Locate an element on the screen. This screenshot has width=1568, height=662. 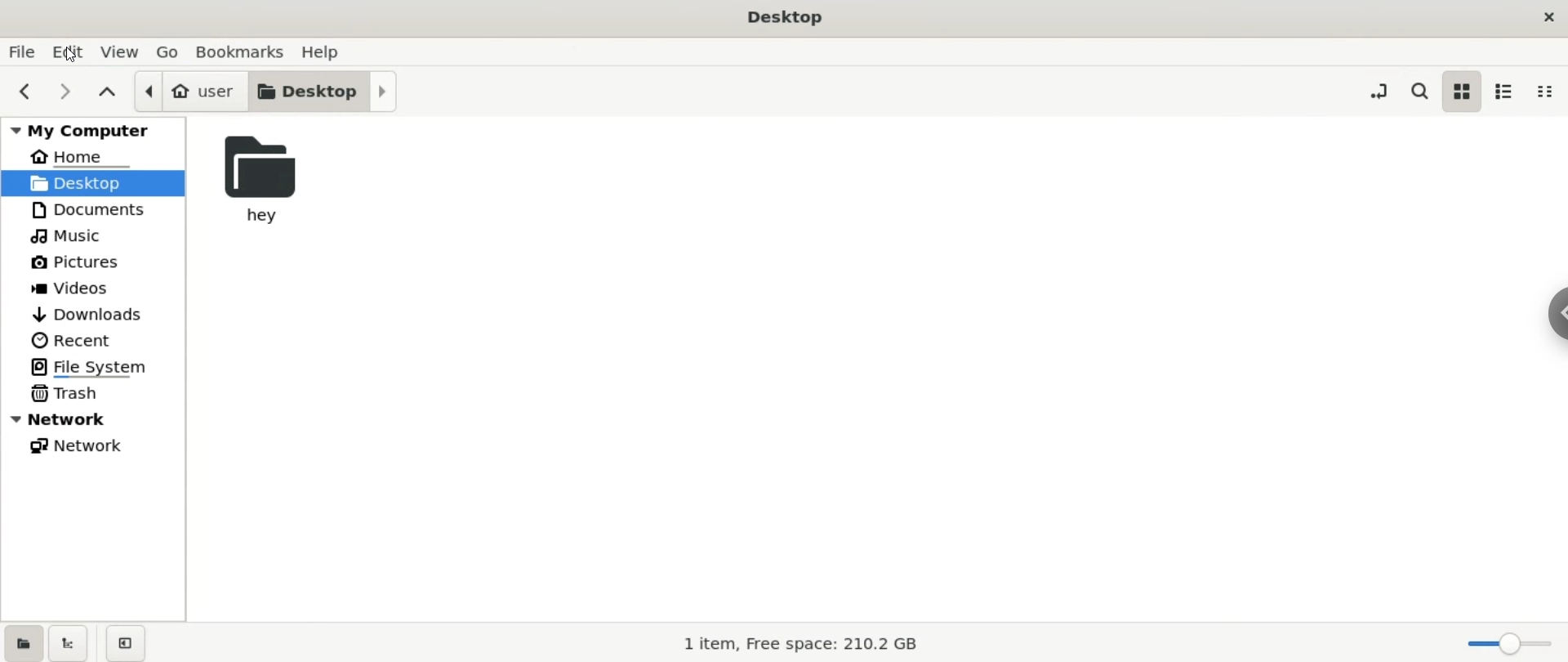
documents is located at coordinates (90, 209).